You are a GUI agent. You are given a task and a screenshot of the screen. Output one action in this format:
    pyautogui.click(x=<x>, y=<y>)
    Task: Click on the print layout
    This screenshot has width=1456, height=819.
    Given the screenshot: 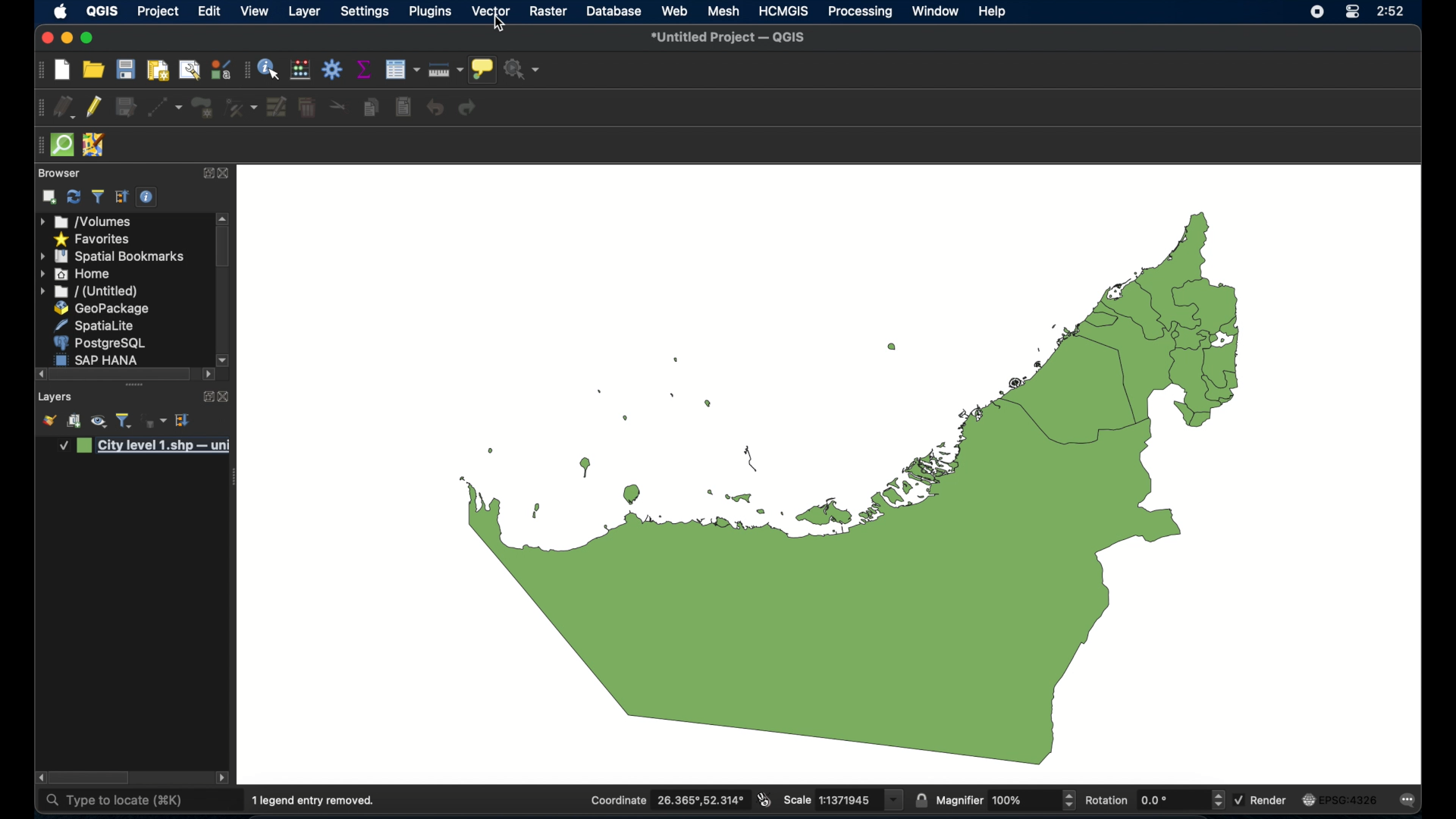 What is the action you would take?
    pyautogui.click(x=156, y=71)
    